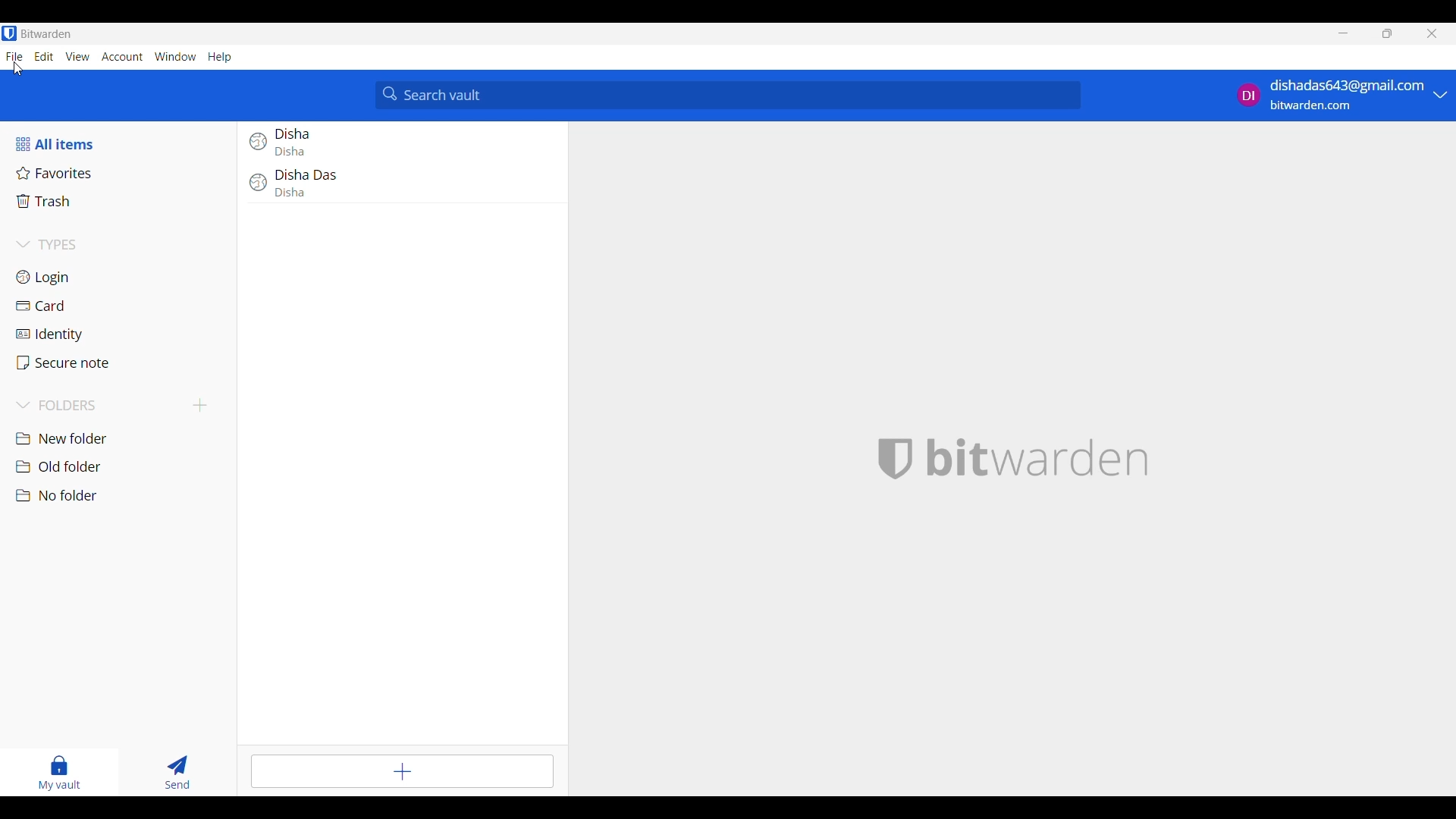 The image size is (1456, 819). What do you see at coordinates (177, 772) in the screenshot?
I see `Send` at bounding box center [177, 772].